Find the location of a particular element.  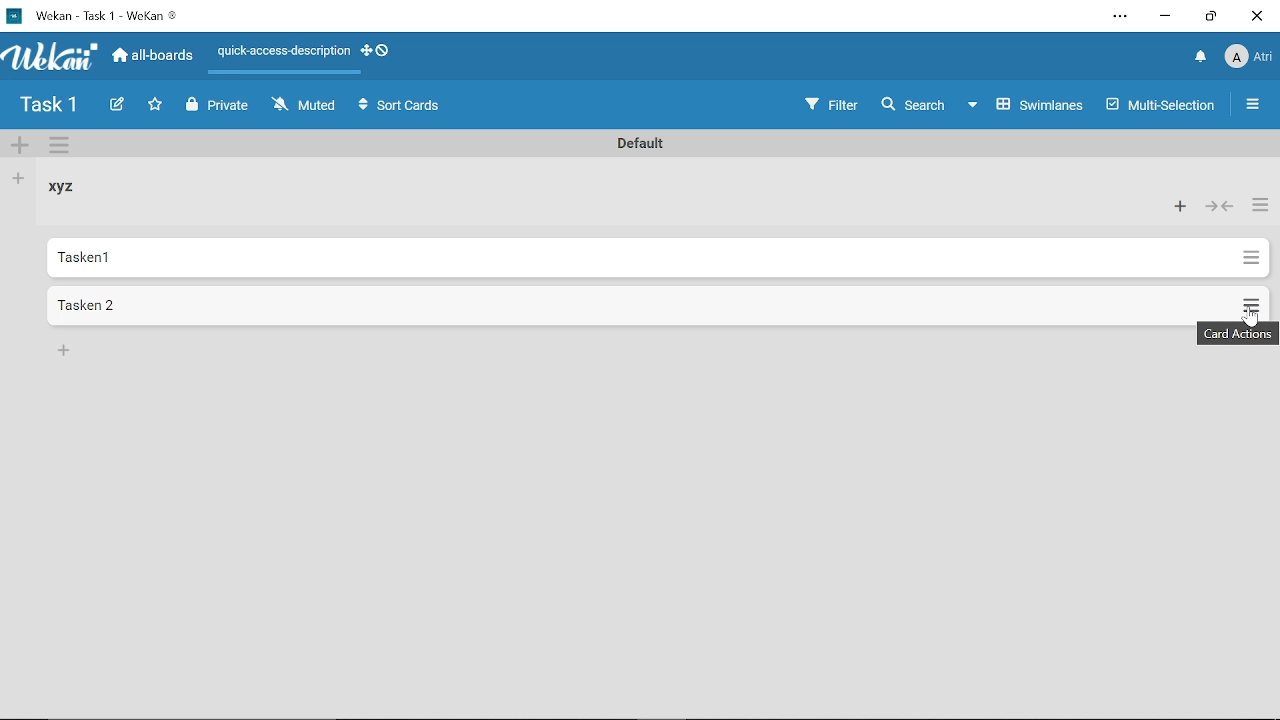

Notifications is located at coordinates (1201, 57).